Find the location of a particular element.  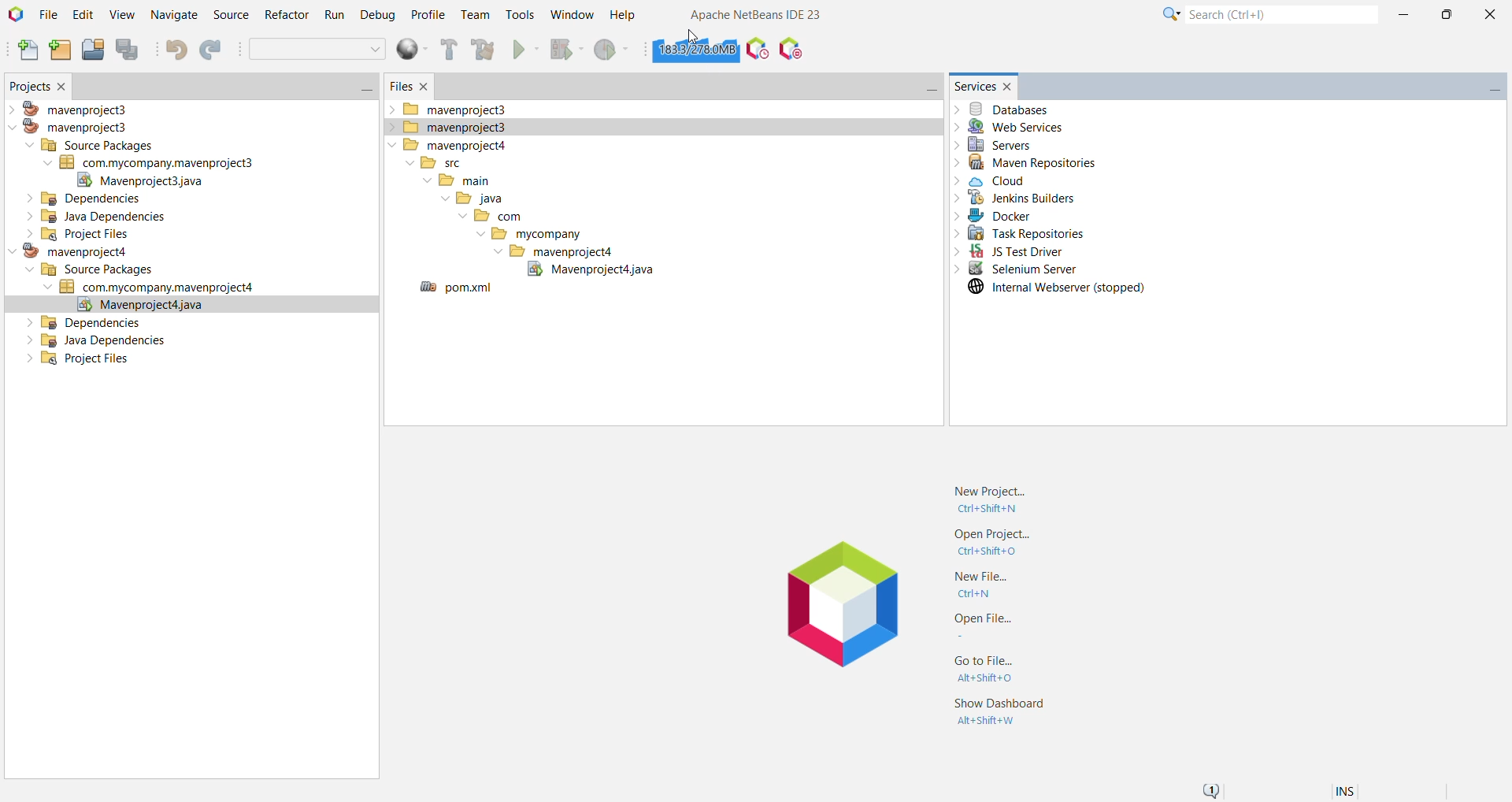

Project Files is located at coordinates (76, 362).